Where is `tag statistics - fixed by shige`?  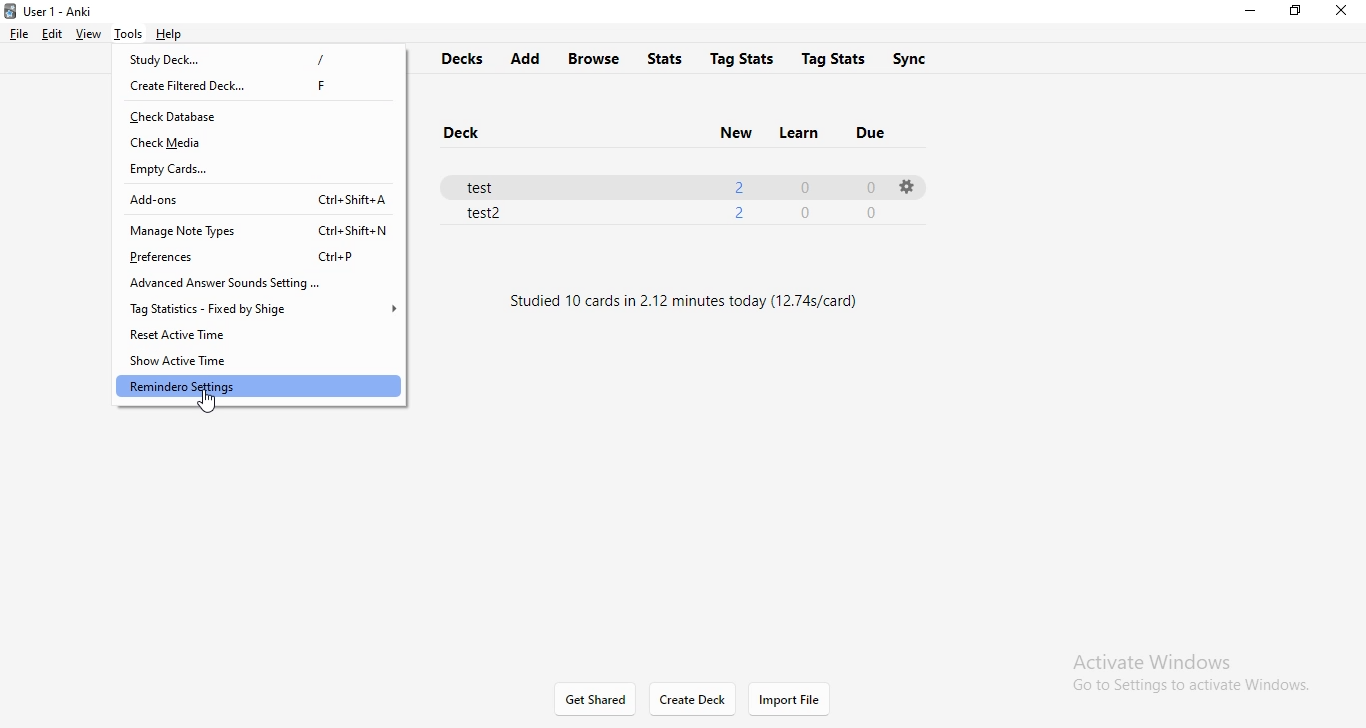 tag statistics - fixed by shige is located at coordinates (269, 309).